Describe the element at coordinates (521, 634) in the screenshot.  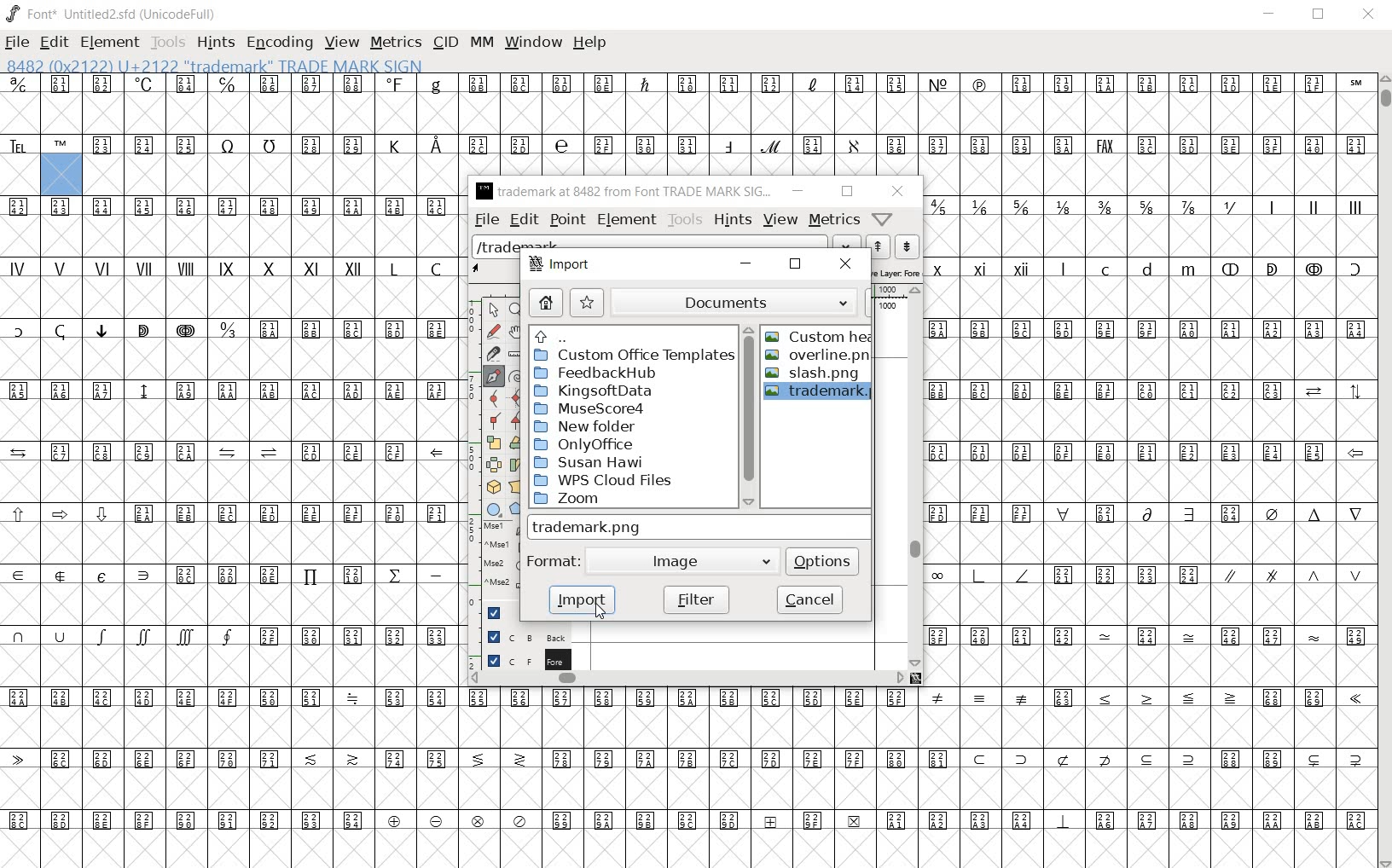
I see `background` at that location.